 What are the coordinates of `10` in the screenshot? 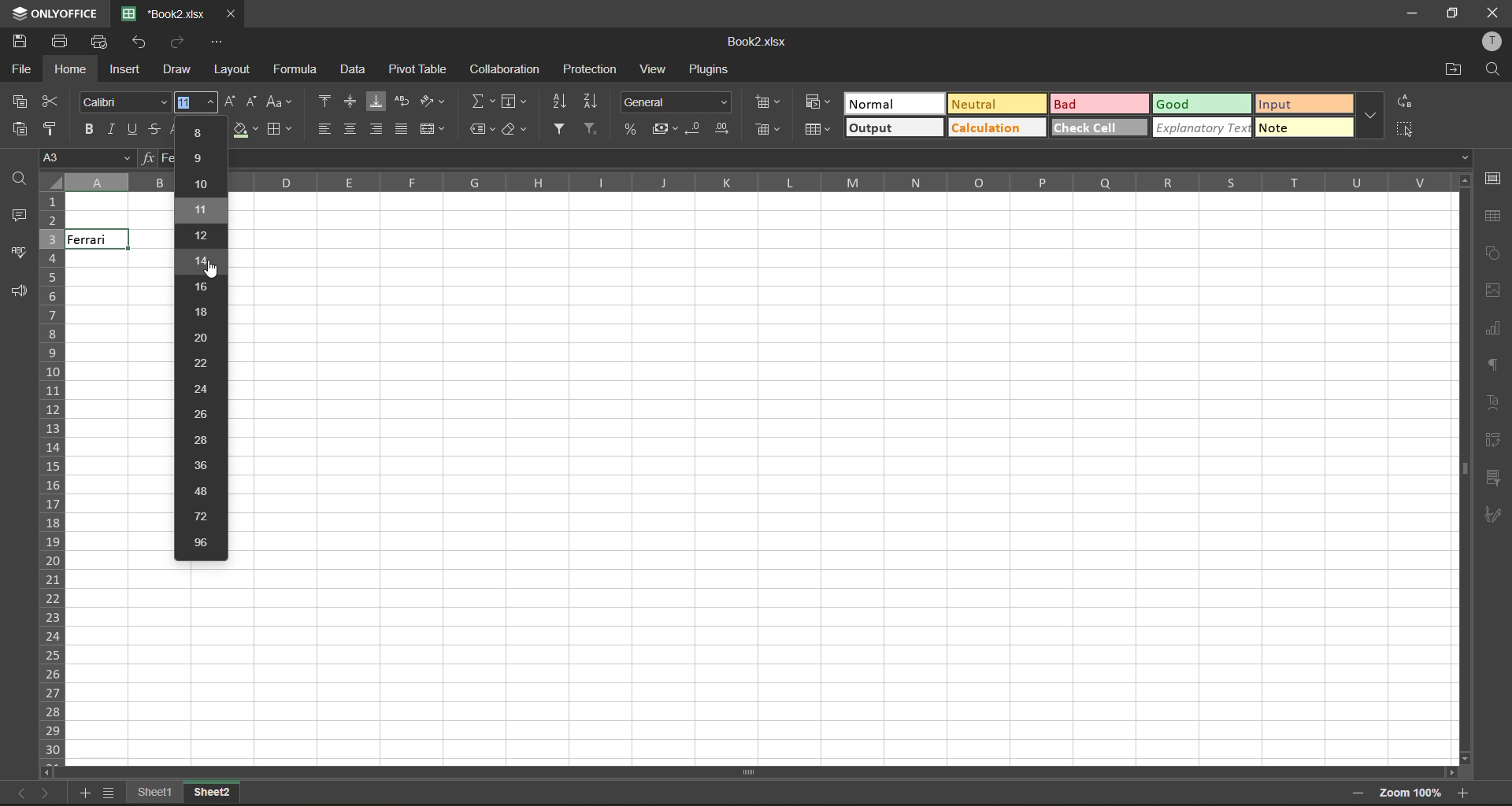 It's located at (204, 184).